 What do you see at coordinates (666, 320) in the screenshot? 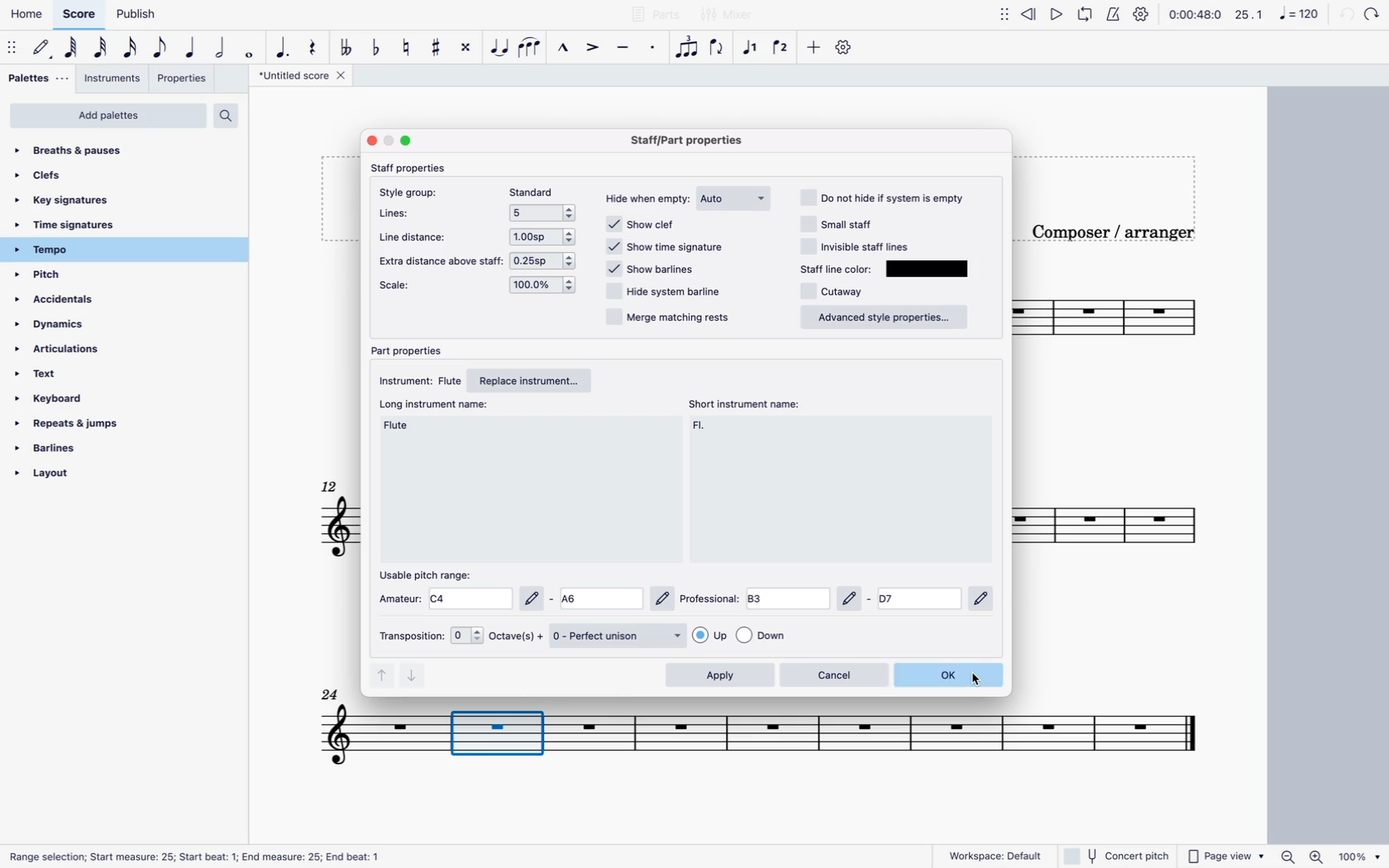
I see `merge matching rests` at bounding box center [666, 320].